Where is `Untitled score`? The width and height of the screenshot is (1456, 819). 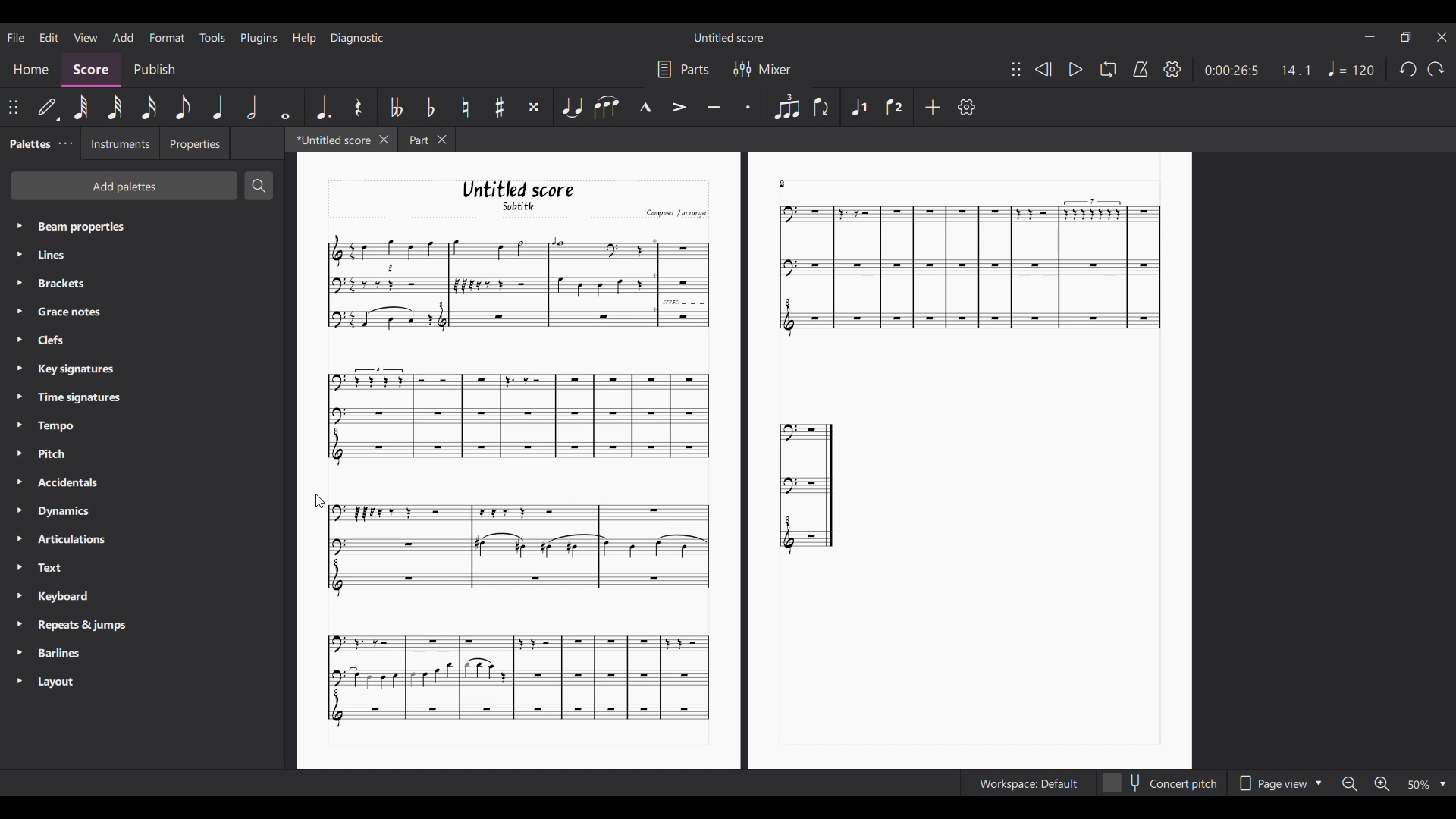
Untitled score is located at coordinates (729, 38).